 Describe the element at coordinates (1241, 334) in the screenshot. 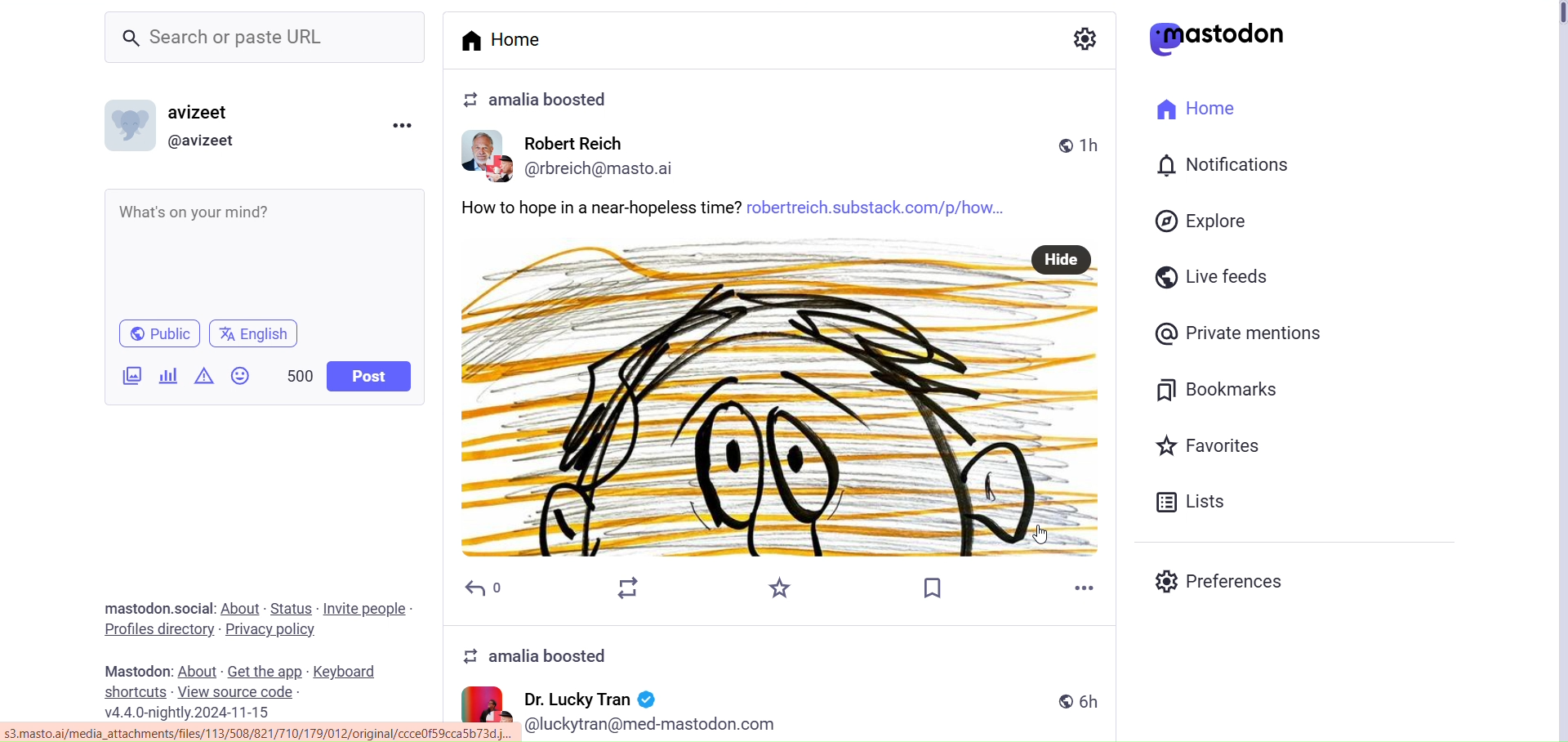

I see `Private Mentions` at that location.